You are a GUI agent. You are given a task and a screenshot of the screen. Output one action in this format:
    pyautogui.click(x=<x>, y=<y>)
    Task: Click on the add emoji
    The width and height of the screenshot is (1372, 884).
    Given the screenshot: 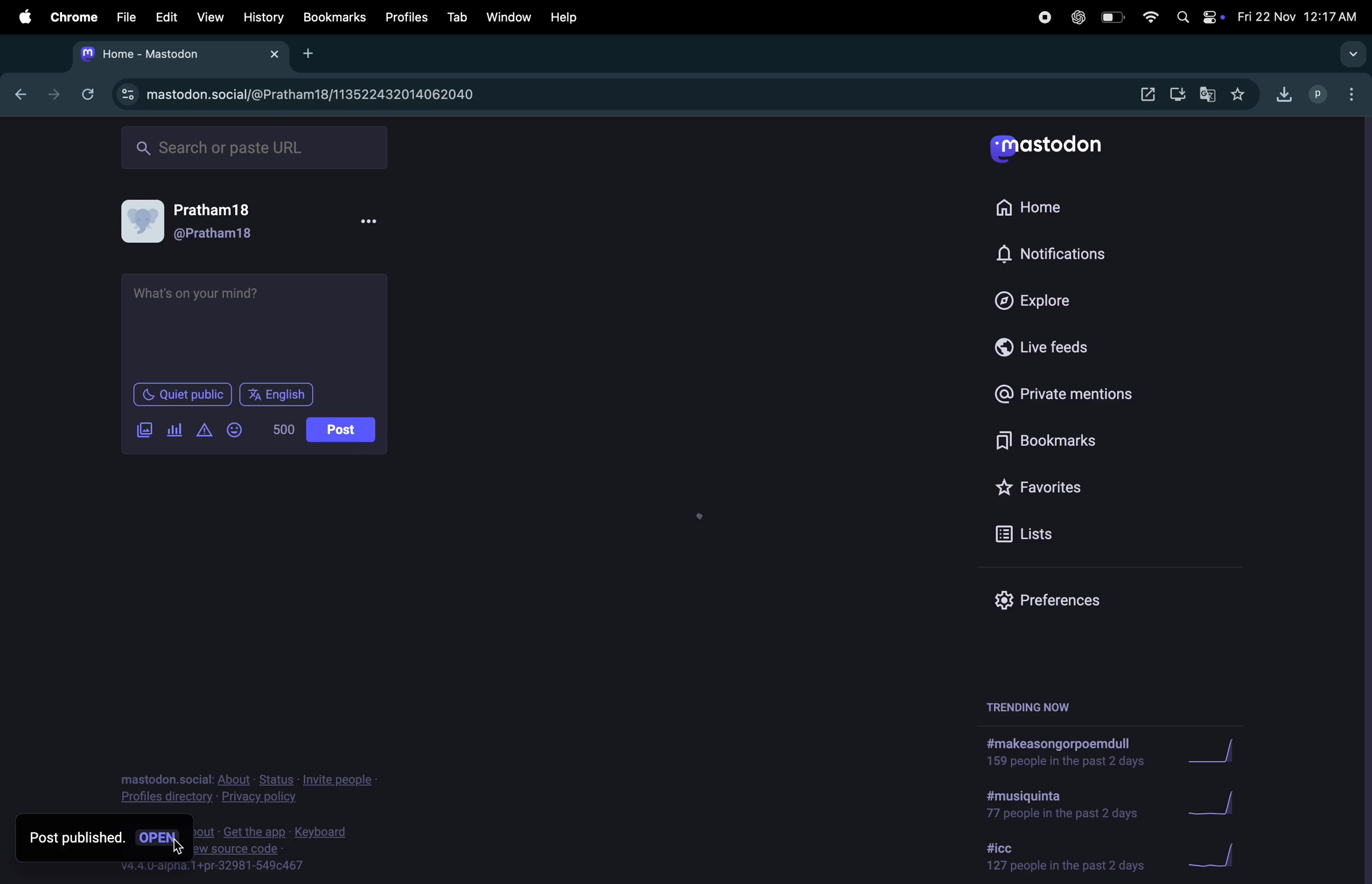 What is the action you would take?
    pyautogui.click(x=234, y=431)
    